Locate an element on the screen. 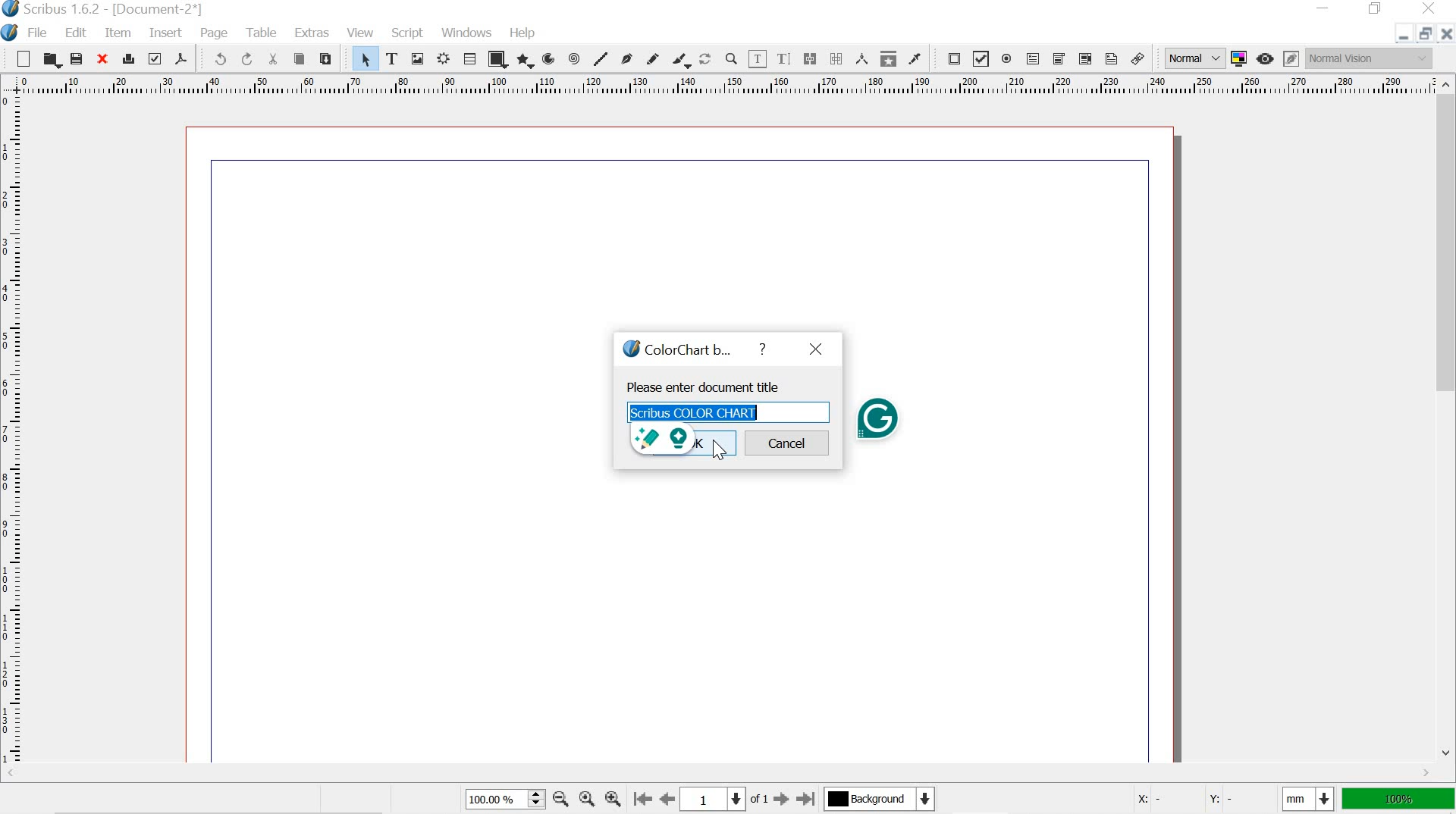 Image resolution: width=1456 pixels, height=814 pixels. Previous page is located at coordinates (667, 797).